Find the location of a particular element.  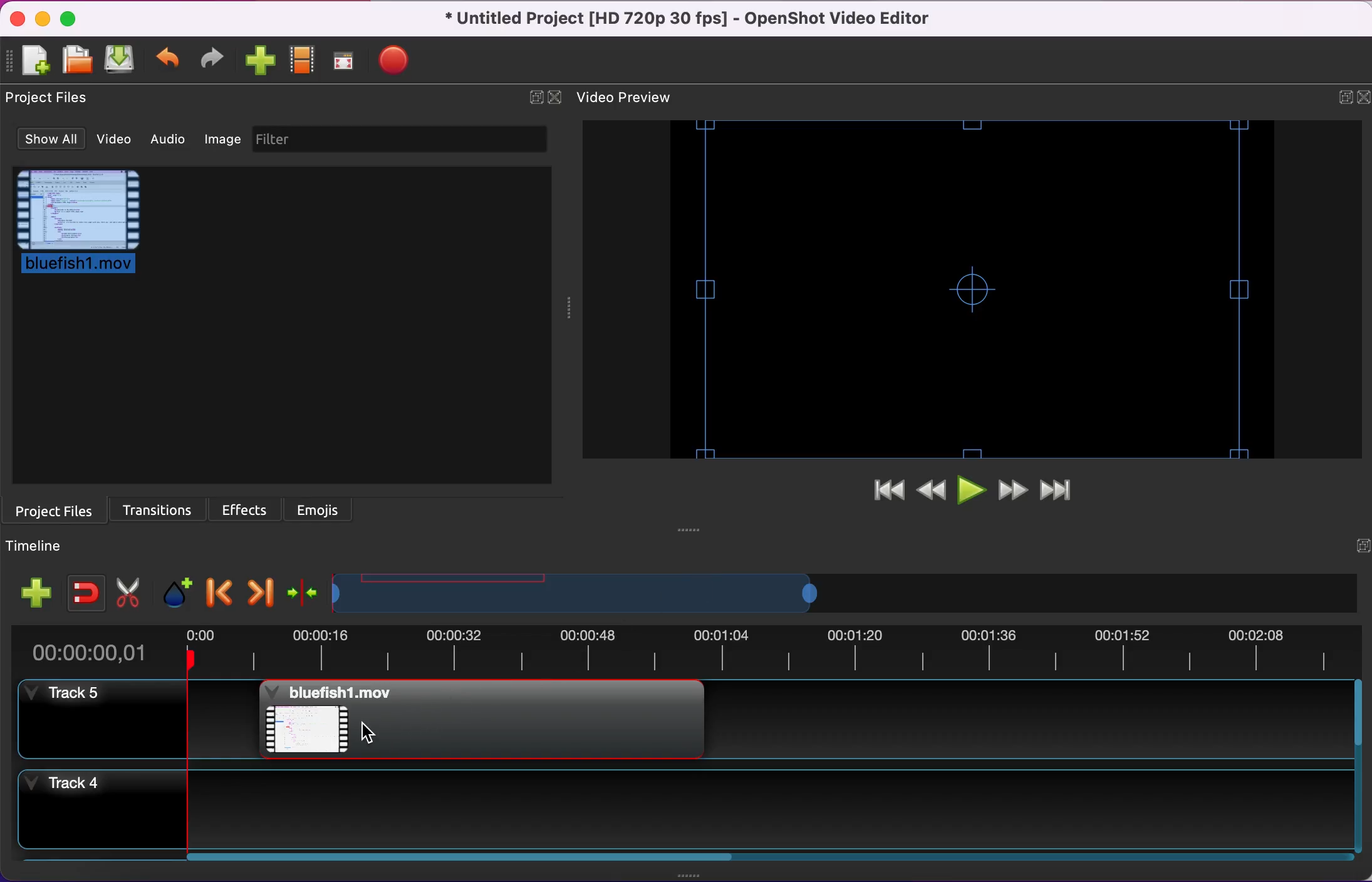

choose profile is located at coordinates (308, 60).